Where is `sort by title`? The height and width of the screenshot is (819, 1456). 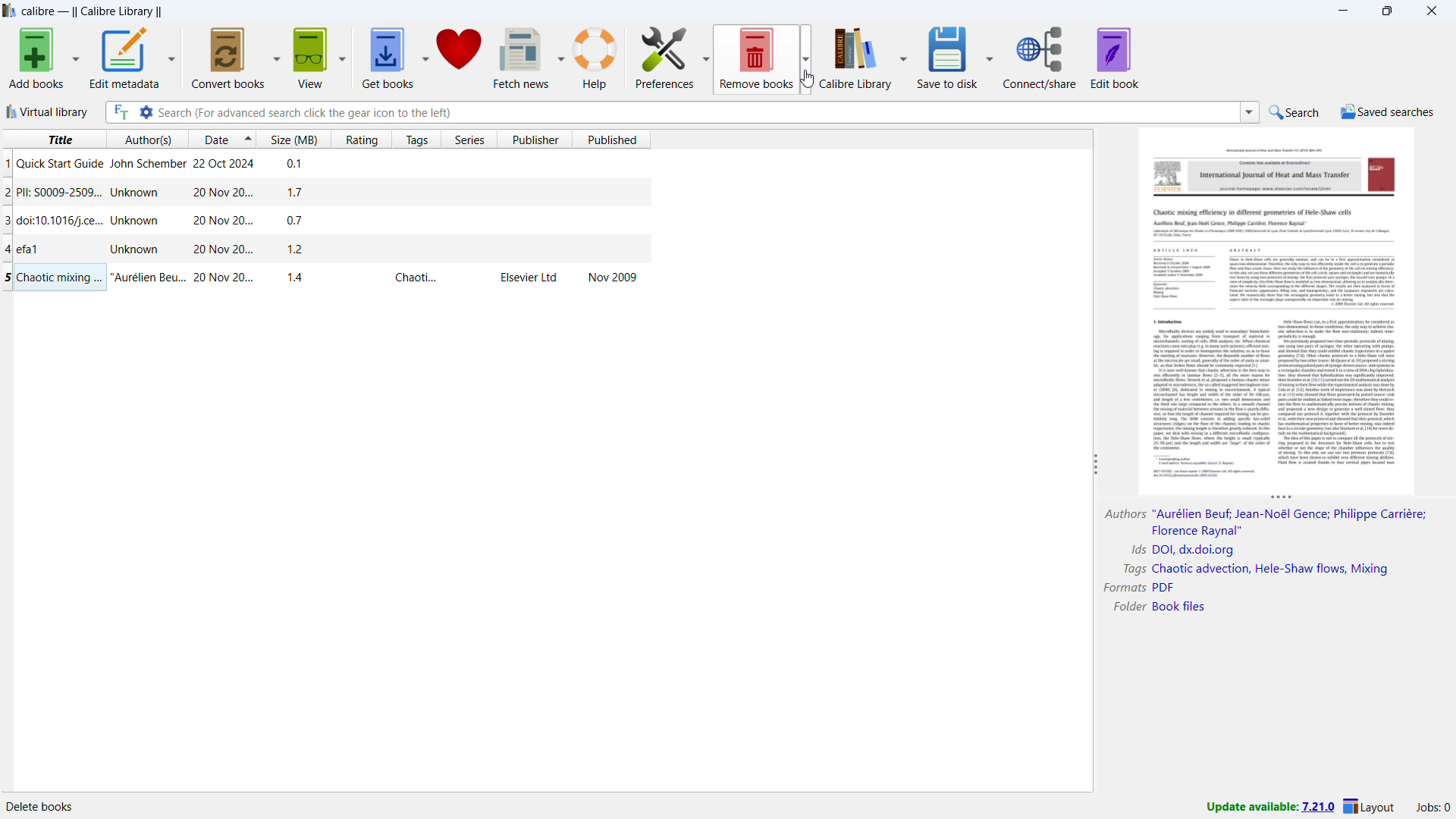 sort by title is located at coordinates (52, 139).